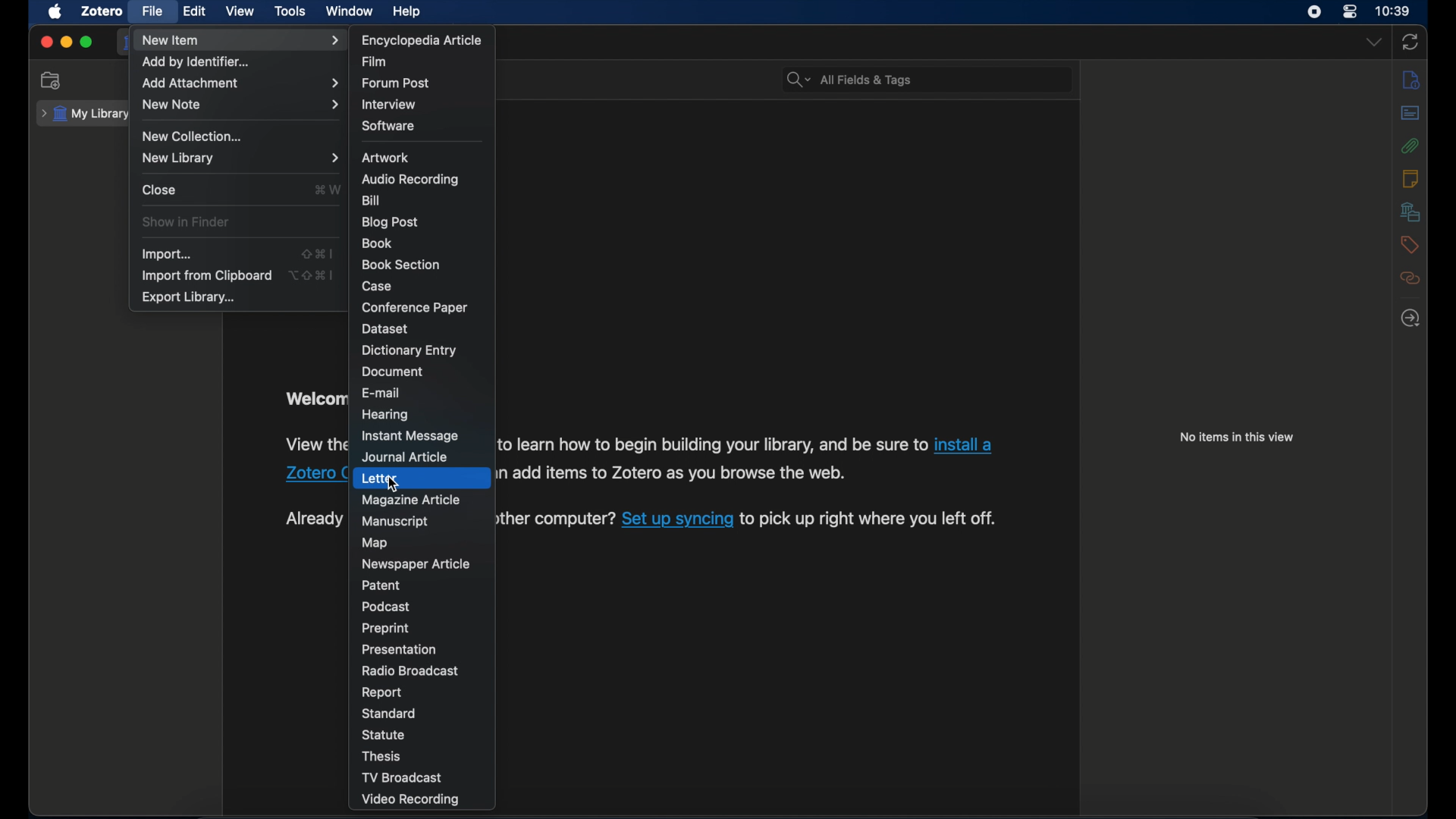 This screenshot has height=819, width=1456. What do you see at coordinates (386, 607) in the screenshot?
I see `podcast` at bounding box center [386, 607].